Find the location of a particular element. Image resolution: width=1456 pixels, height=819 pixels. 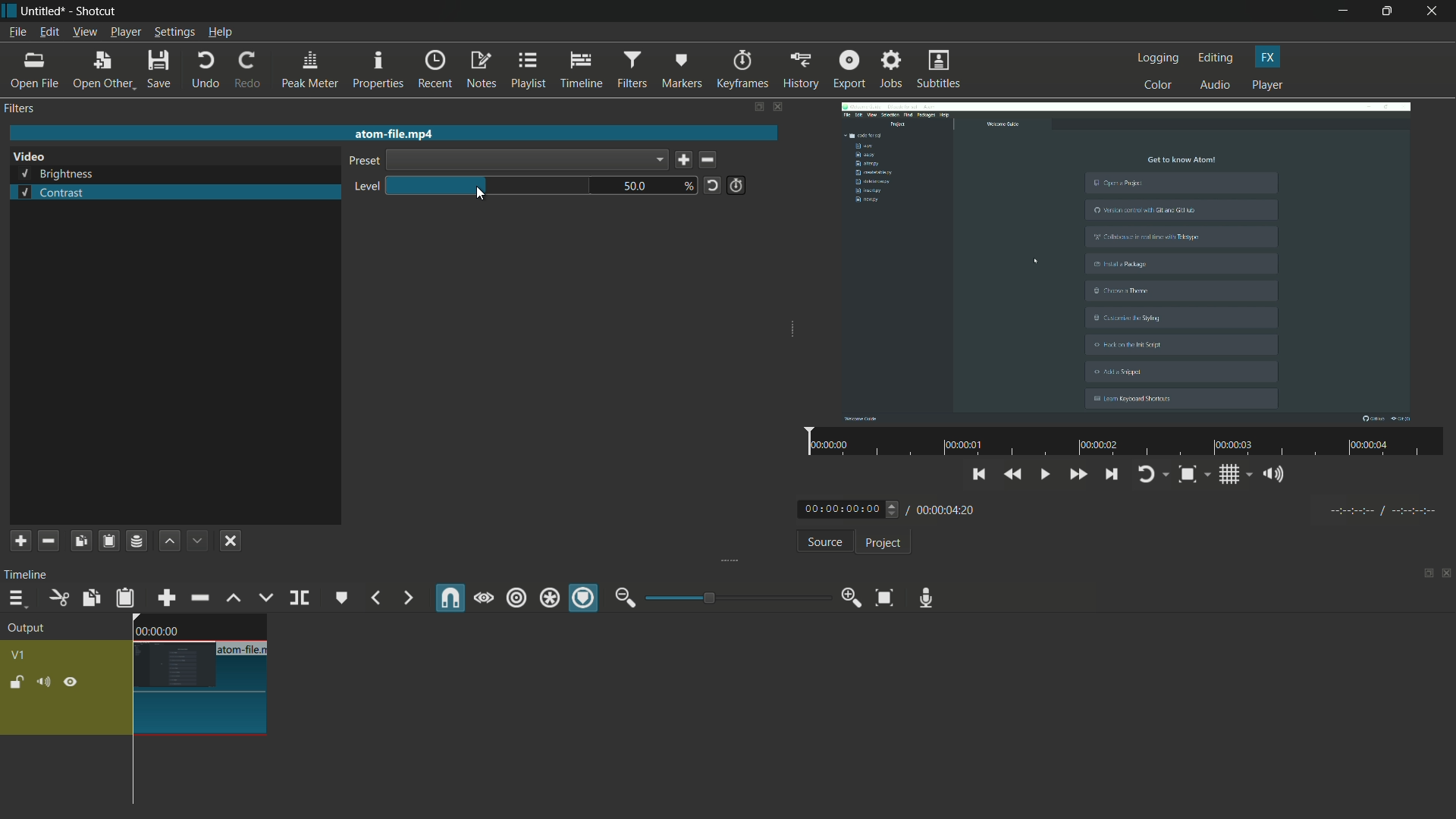

notes is located at coordinates (483, 71).